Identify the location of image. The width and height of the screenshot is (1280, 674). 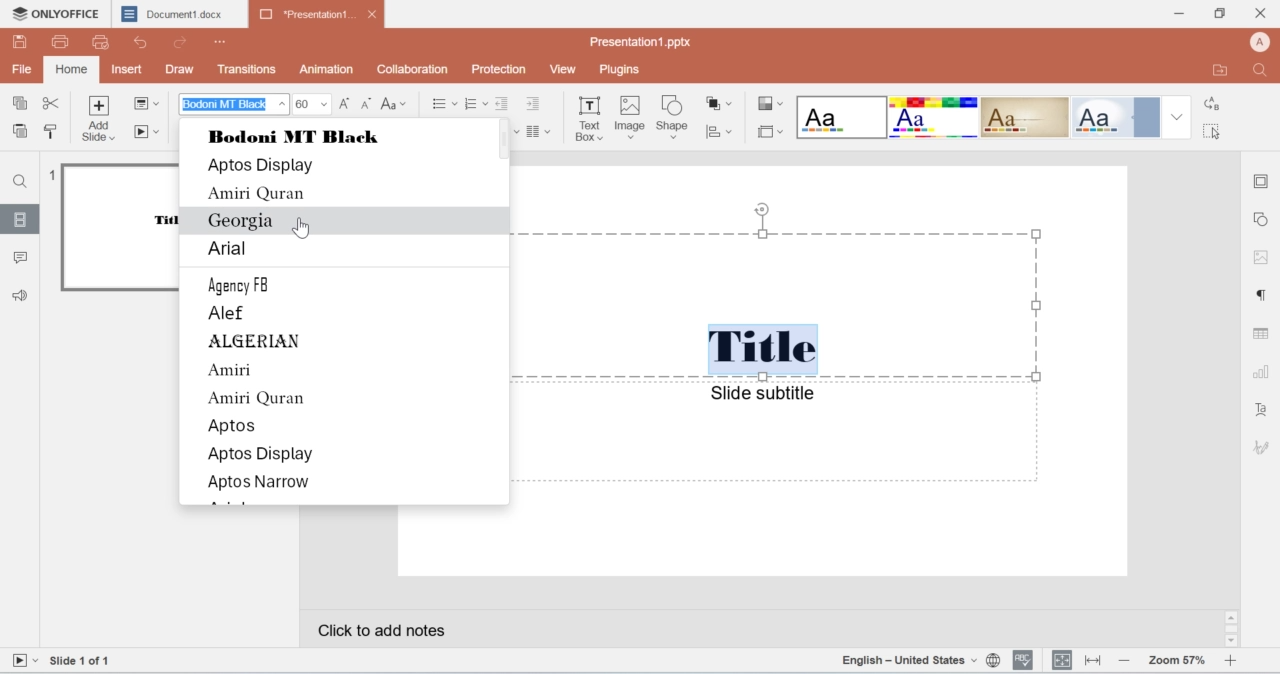
(629, 119).